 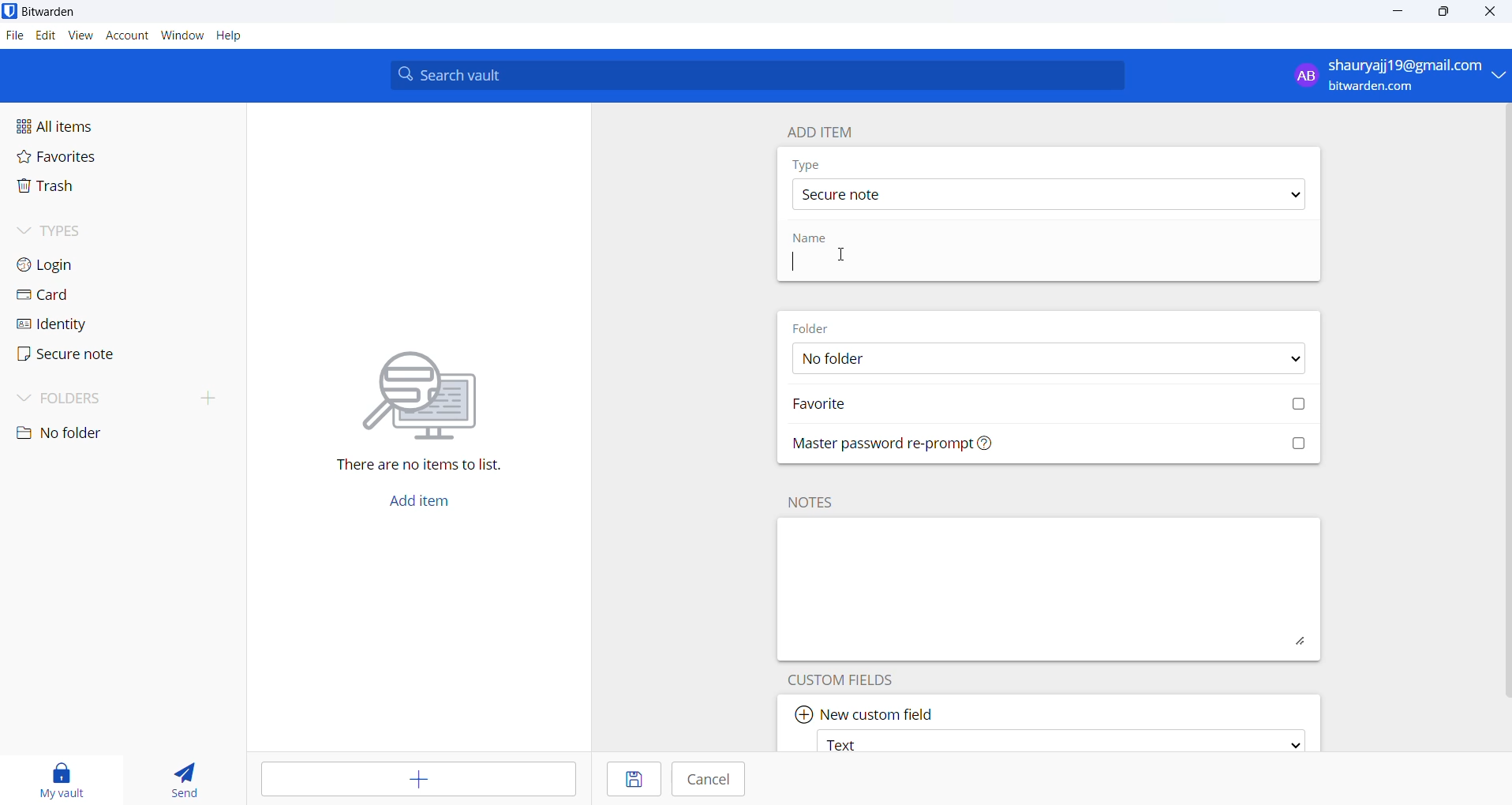 I want to click on no folder, so click(x=93, y=434).